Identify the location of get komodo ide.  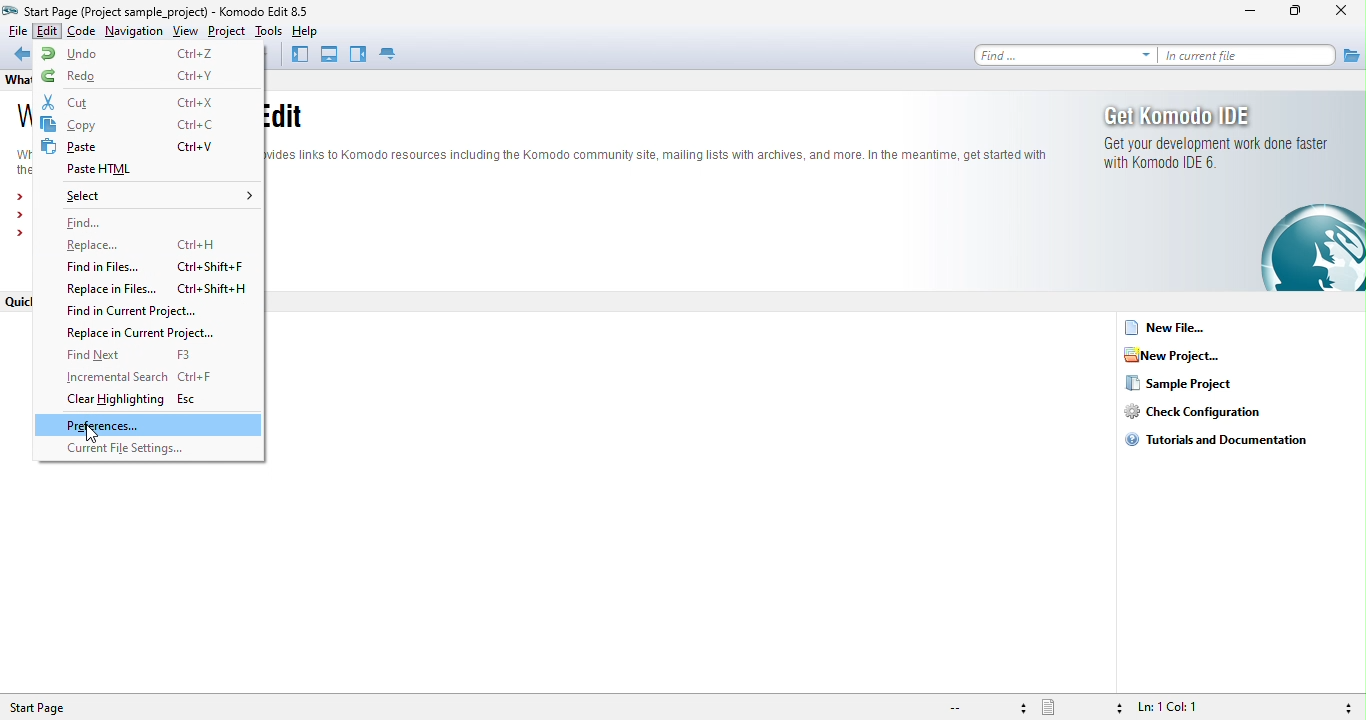
(1220, 115).